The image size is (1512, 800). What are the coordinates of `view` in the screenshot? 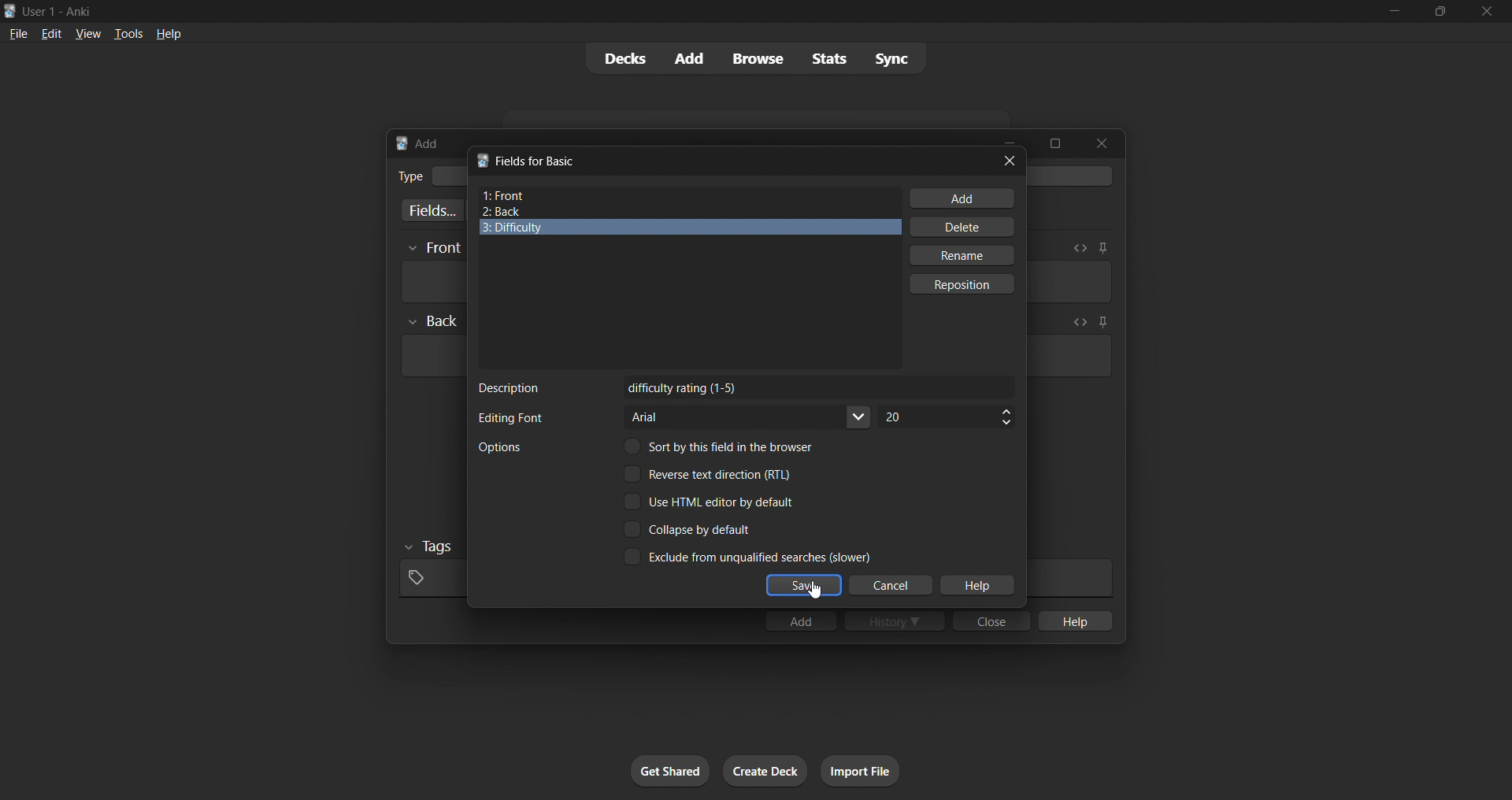 It's located at (88, 33).